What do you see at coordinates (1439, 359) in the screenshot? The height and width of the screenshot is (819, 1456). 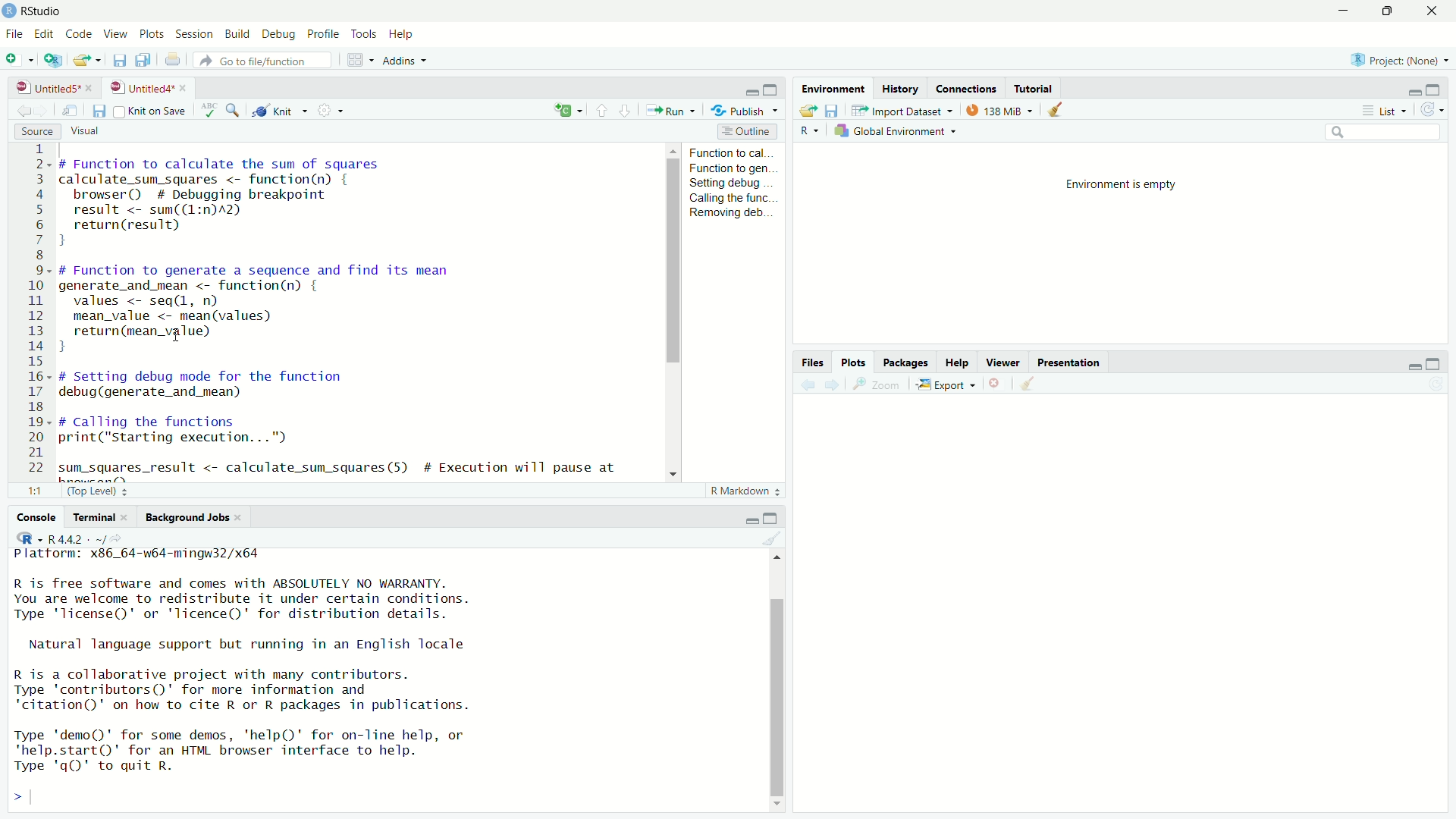 I see `maximize` at bounding box center [1439, 359].